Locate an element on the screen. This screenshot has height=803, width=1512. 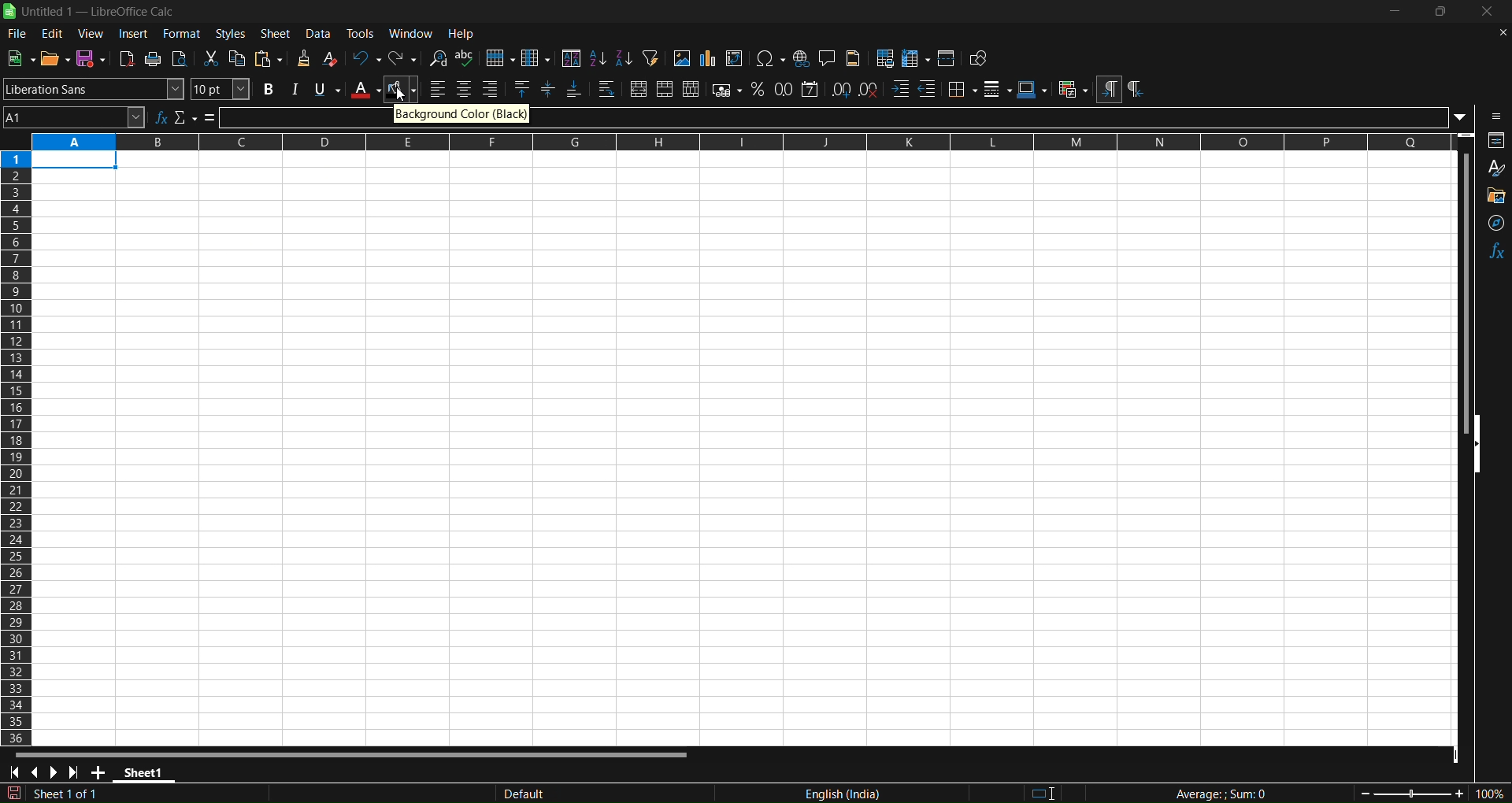
increase indent is located at coordinates (901, 89).